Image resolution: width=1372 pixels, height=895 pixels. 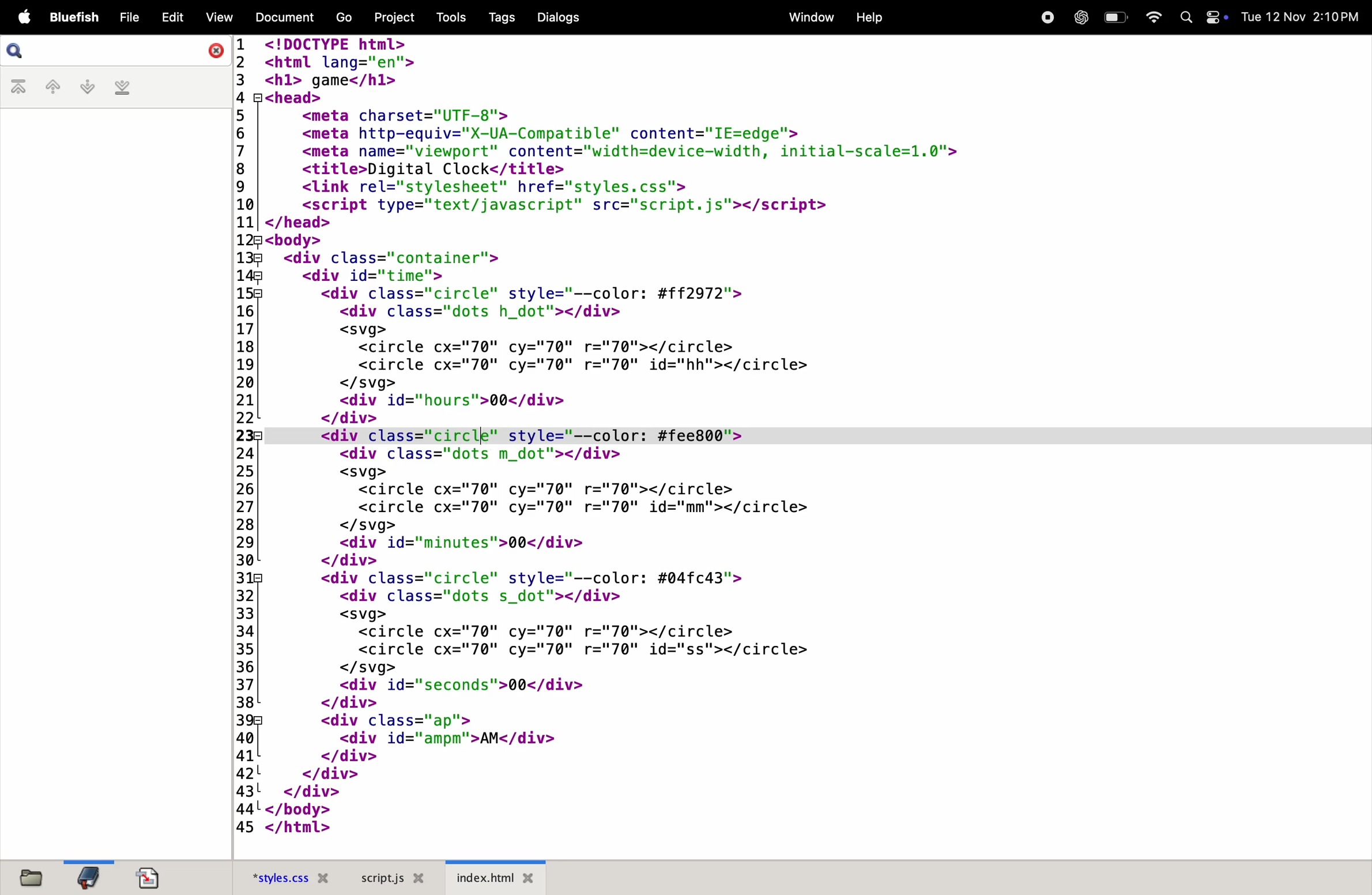 What do you see at coordinates (798, 648) in the screenshot?
I see `code block` at bounding box center [798, 648].